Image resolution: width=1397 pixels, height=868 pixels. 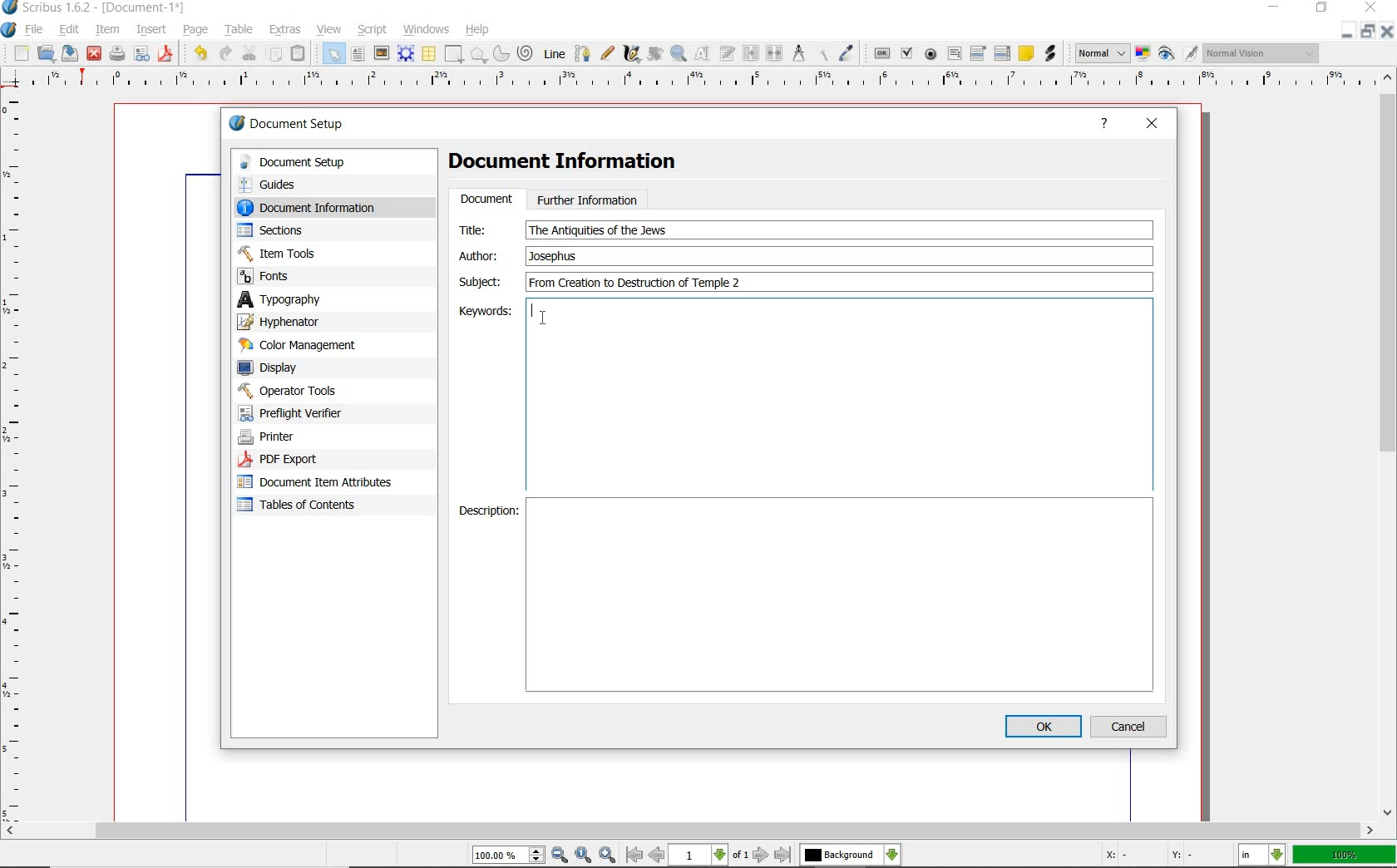 I want to click on hypenator, so click(x=291, y=322).